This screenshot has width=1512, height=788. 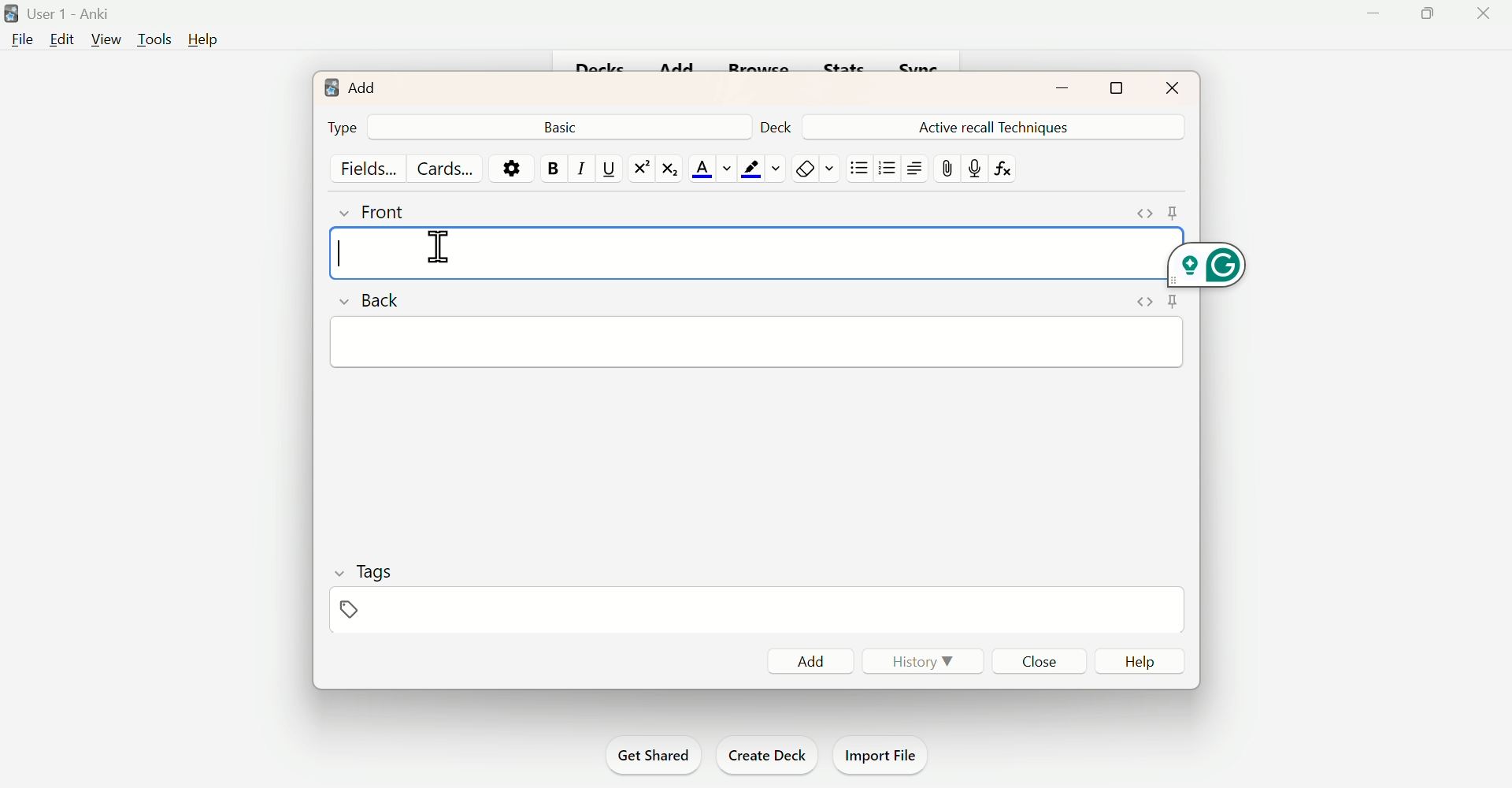 I want to click on Back, so click(x=373, y=299).